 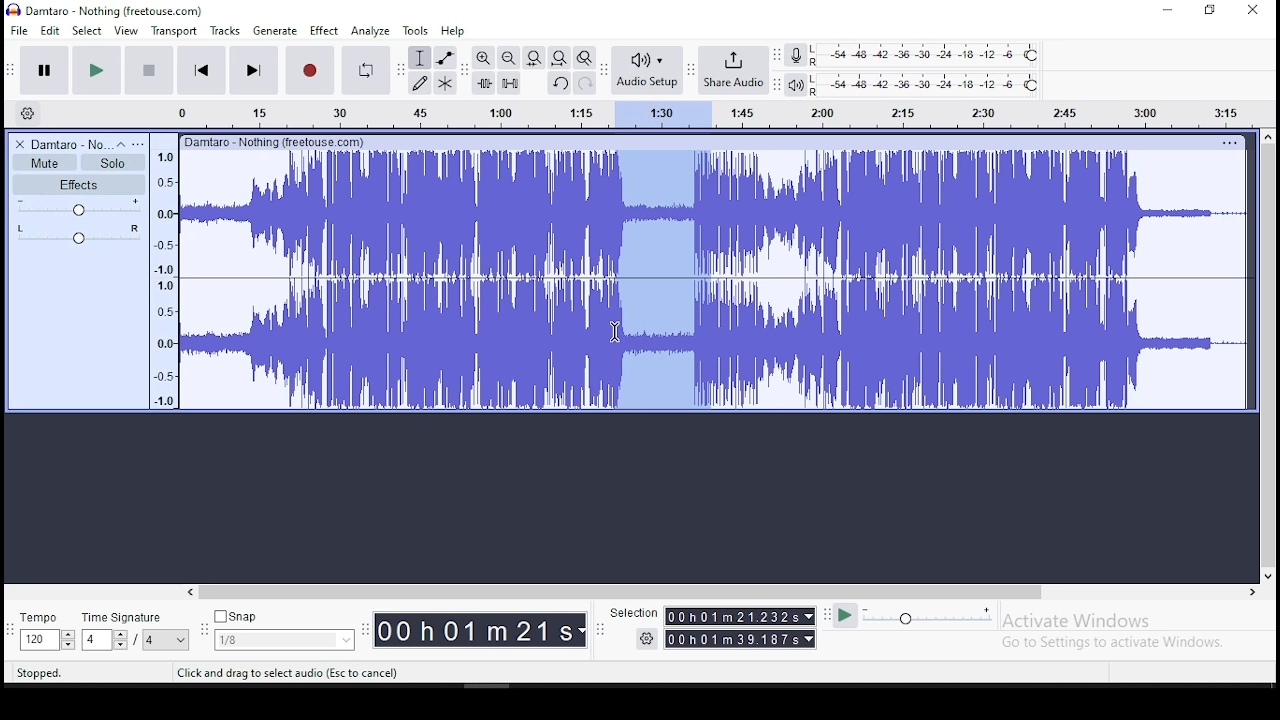 I want to click on drop down, so click(x=182, y=640).